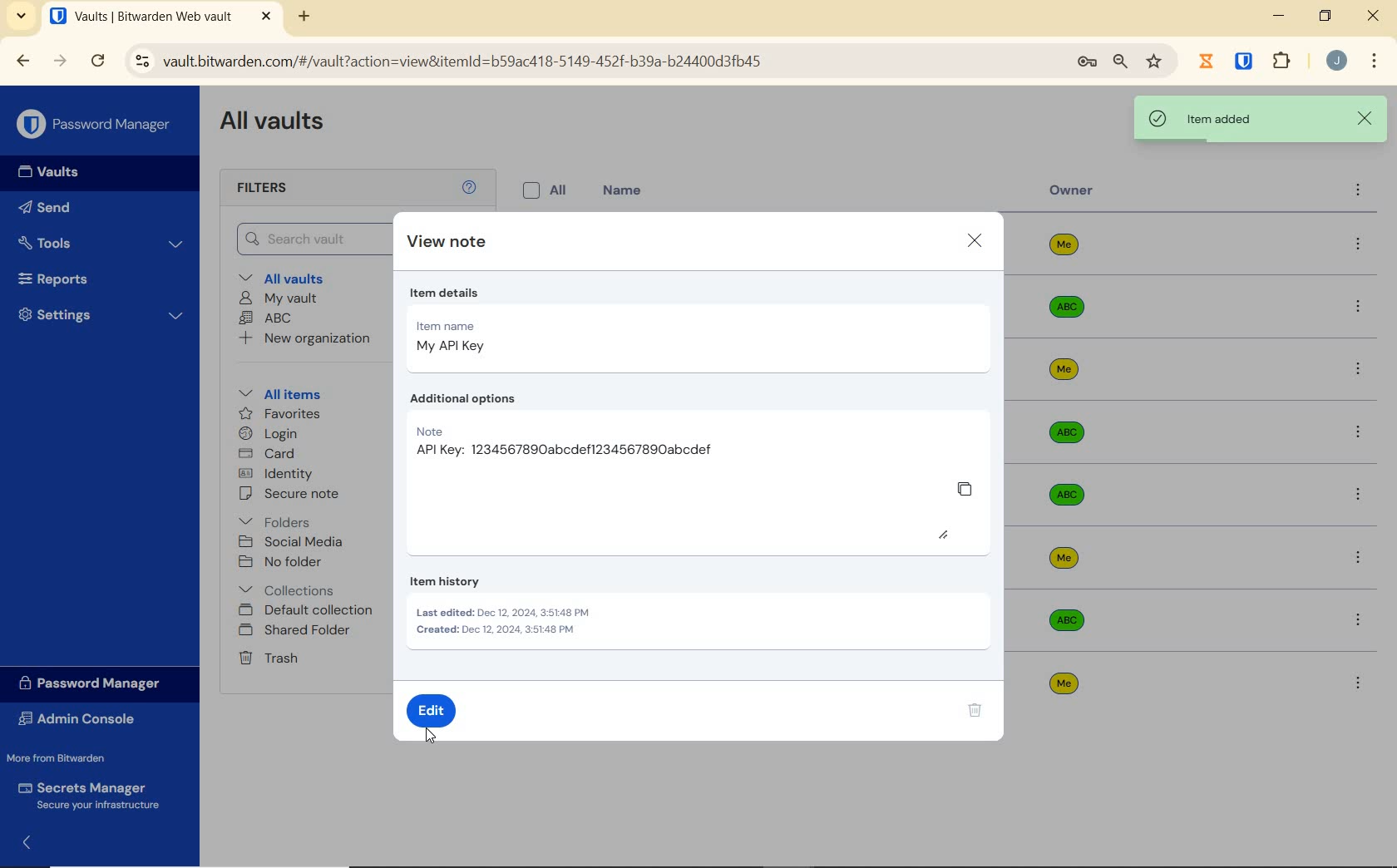  What do you see at coordinates (311, 238) in the screenshot?
I see `Search Vault` at bounding box center [311, 238].